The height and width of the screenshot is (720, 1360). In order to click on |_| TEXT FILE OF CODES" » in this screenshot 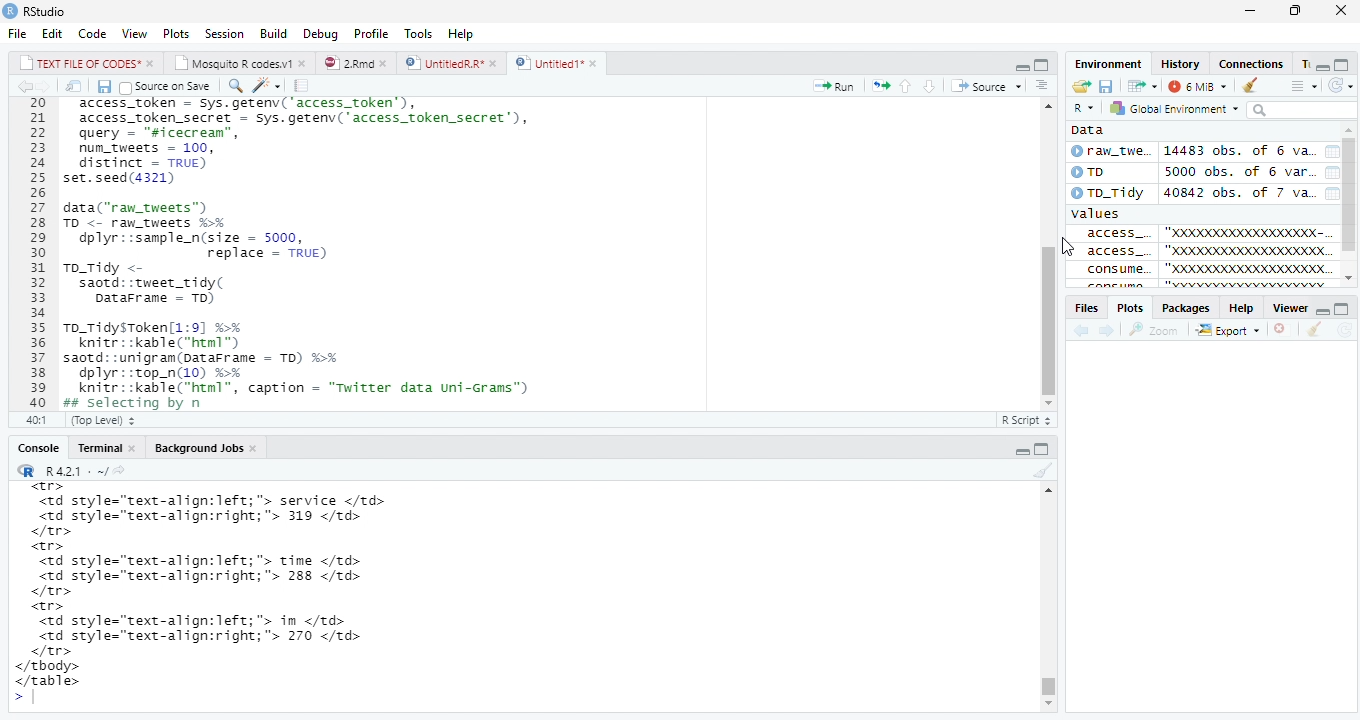, I will do `click(76, 62)`.